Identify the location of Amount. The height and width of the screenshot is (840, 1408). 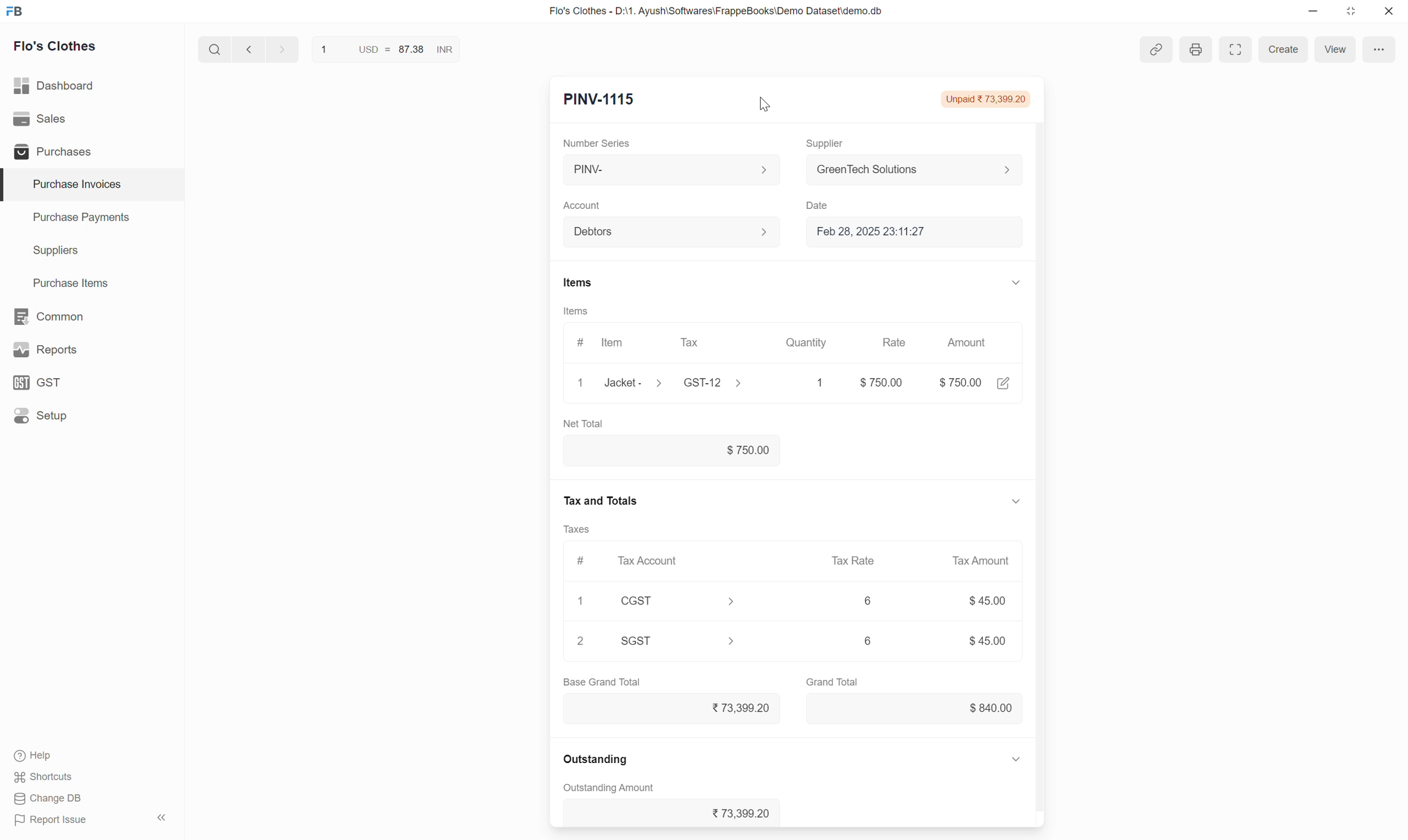
(969, 342).